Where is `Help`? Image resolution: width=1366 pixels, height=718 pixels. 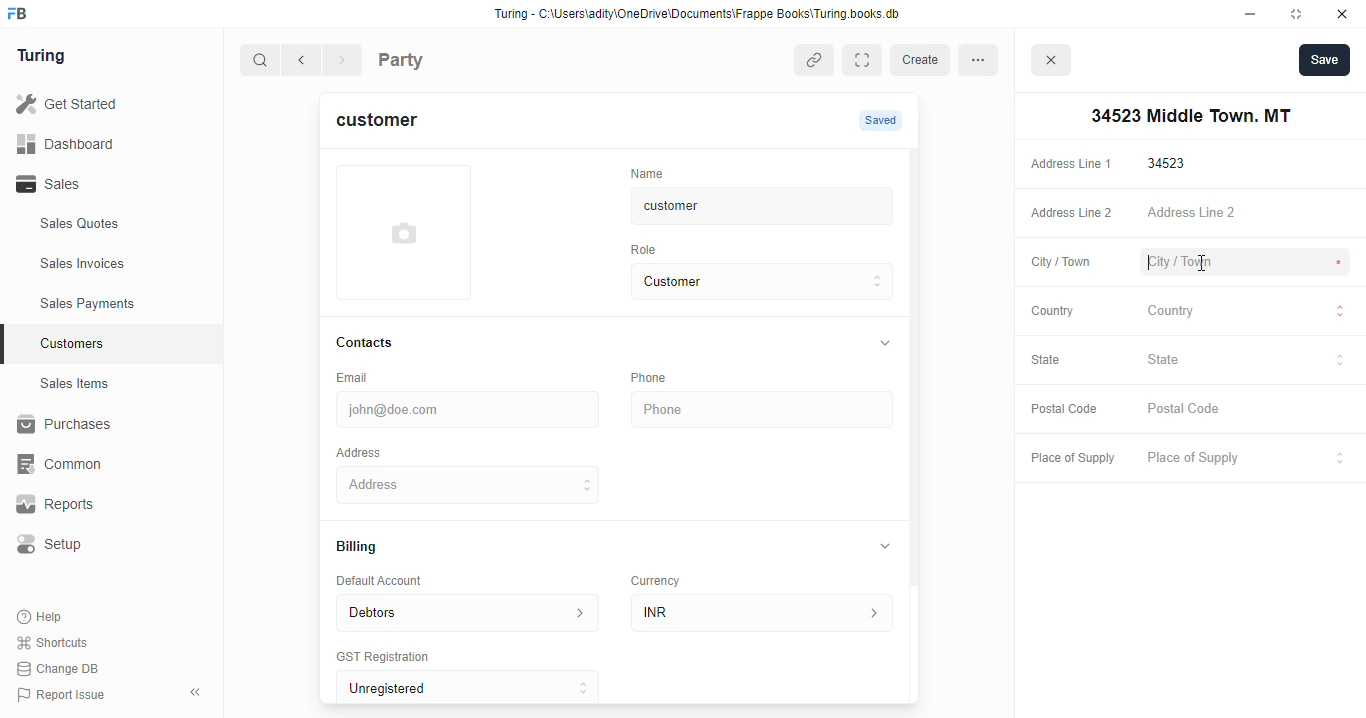
Help is located at coordinates (42, 618).